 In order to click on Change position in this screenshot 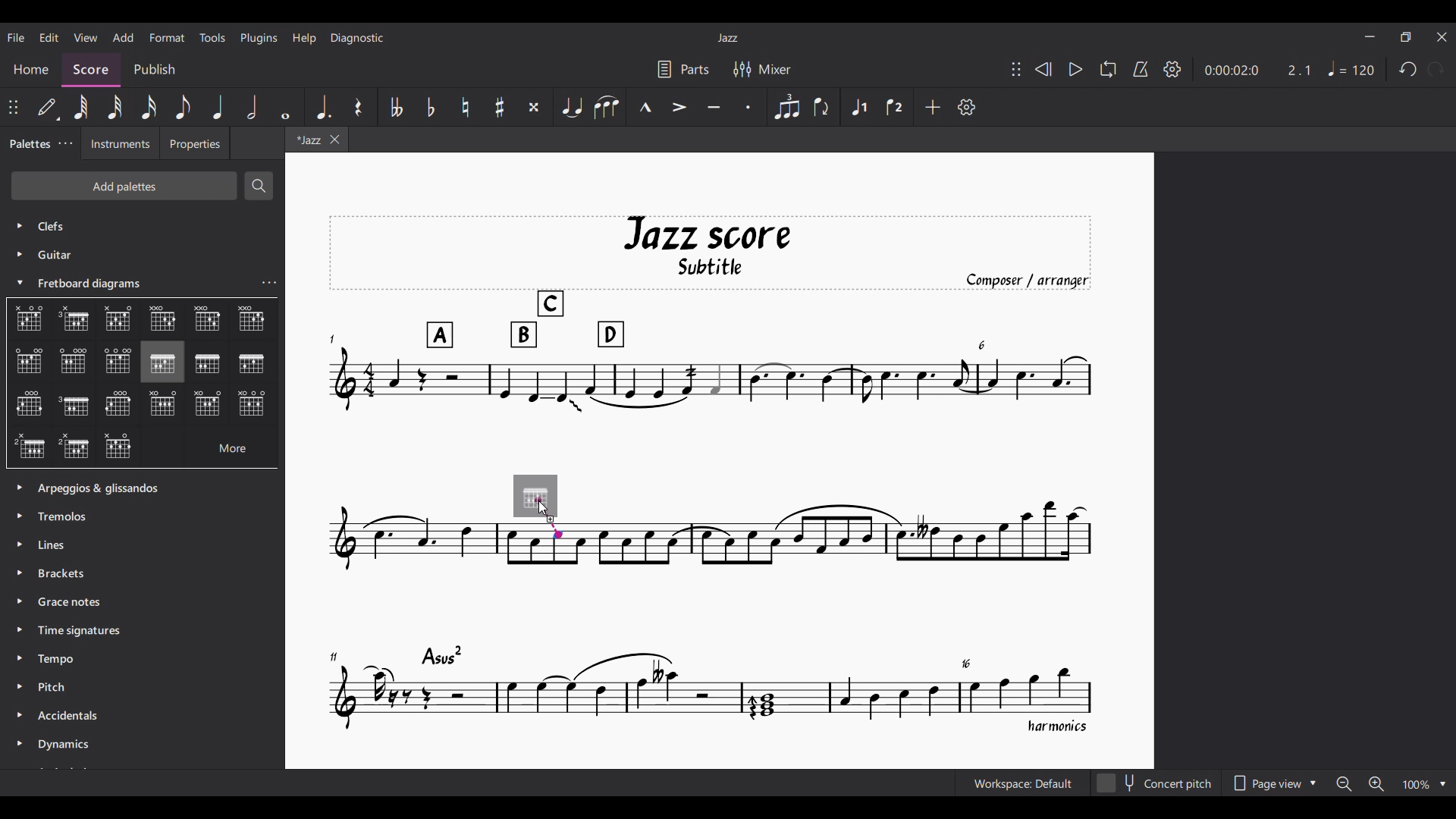, I will do `click(13, 107)`.